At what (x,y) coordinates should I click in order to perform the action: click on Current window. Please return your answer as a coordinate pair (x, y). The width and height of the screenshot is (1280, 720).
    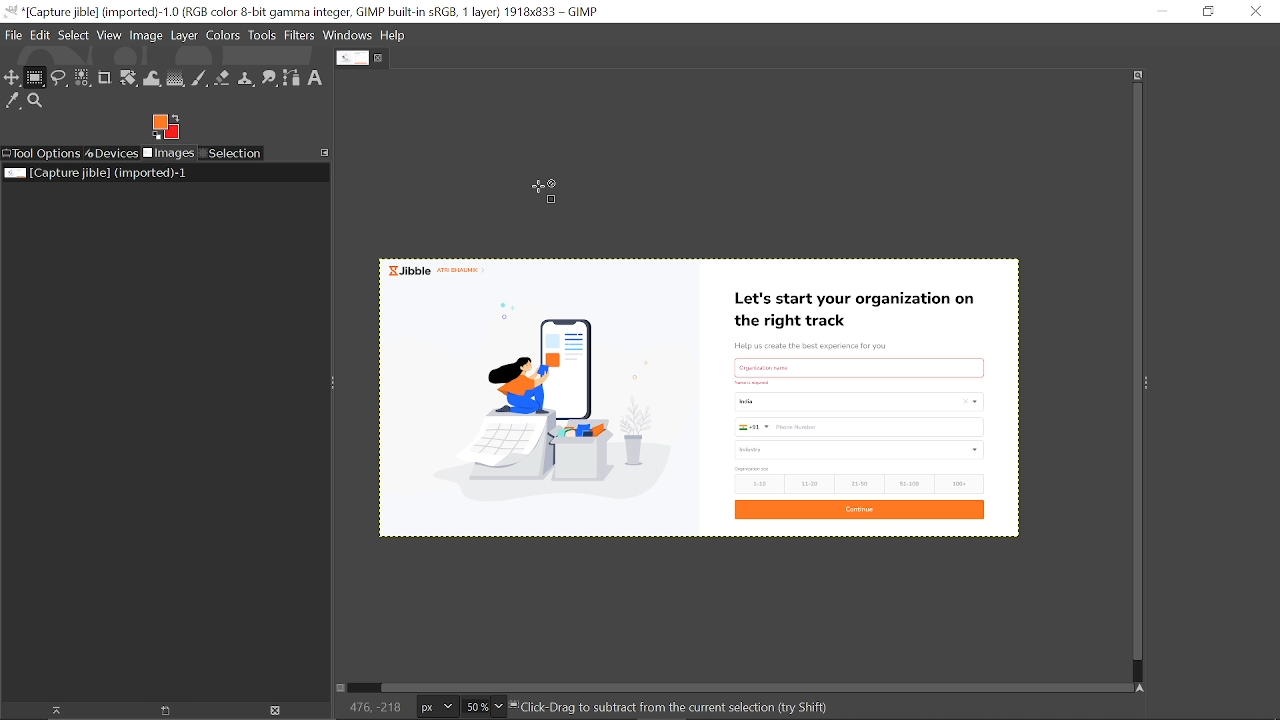
    Looking at the image, I should click on (309, 12).